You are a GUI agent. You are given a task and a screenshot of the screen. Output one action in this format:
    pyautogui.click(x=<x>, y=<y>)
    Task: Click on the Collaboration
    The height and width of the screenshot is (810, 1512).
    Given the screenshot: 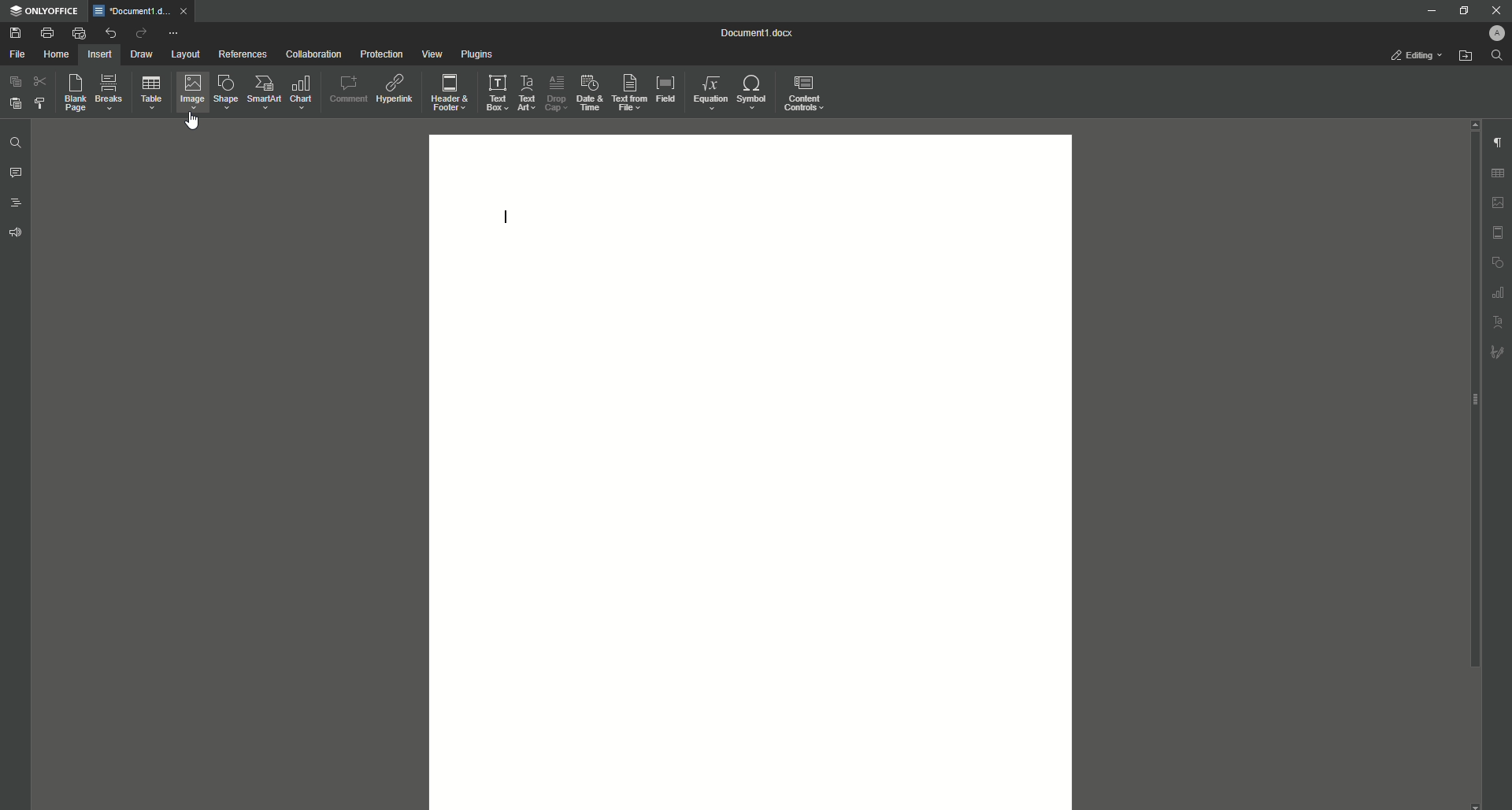 What is the action you would take?
    pyautogui.click(x=311, y=55)
    